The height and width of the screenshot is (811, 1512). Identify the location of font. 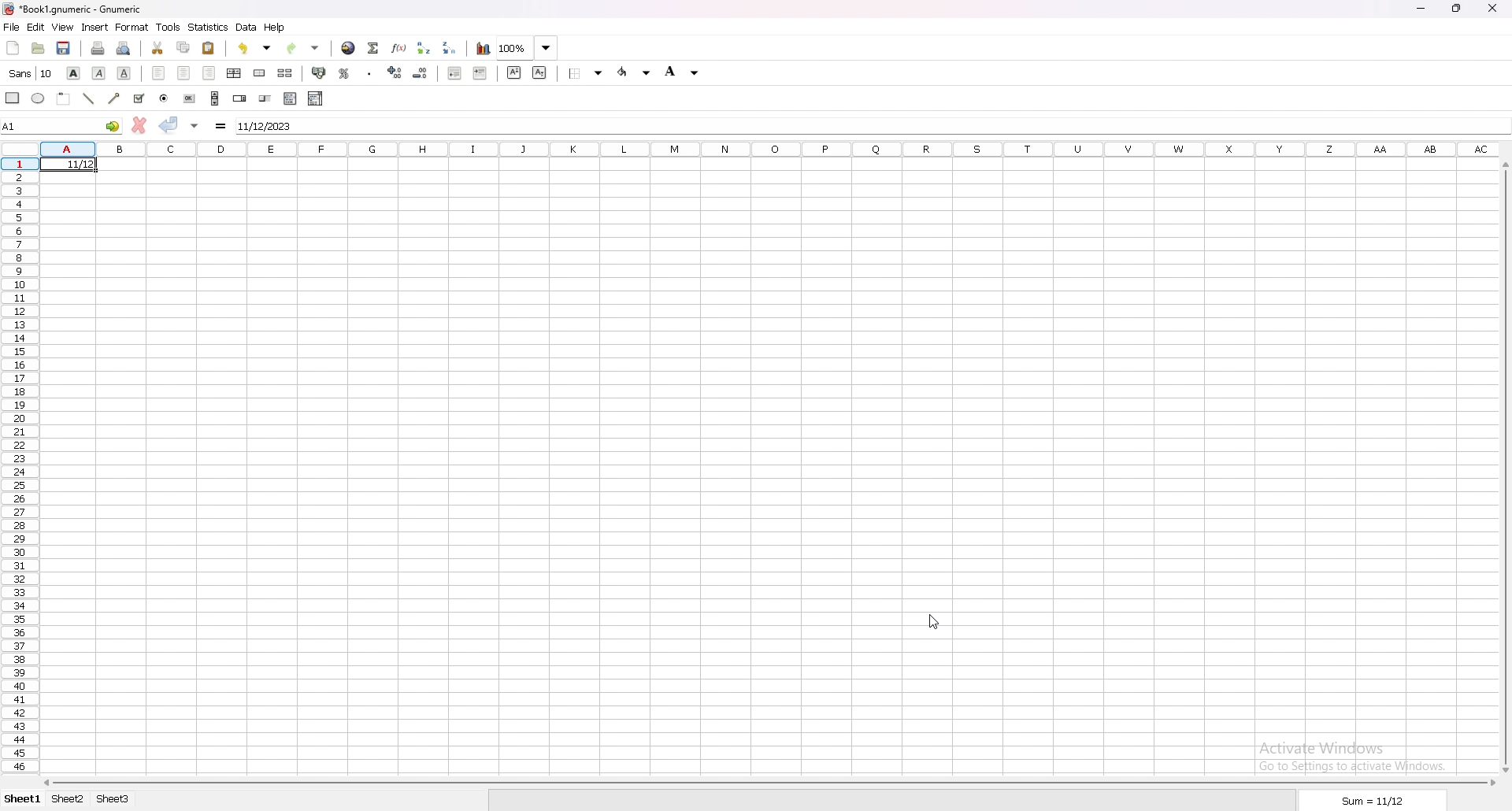
(33, 72).